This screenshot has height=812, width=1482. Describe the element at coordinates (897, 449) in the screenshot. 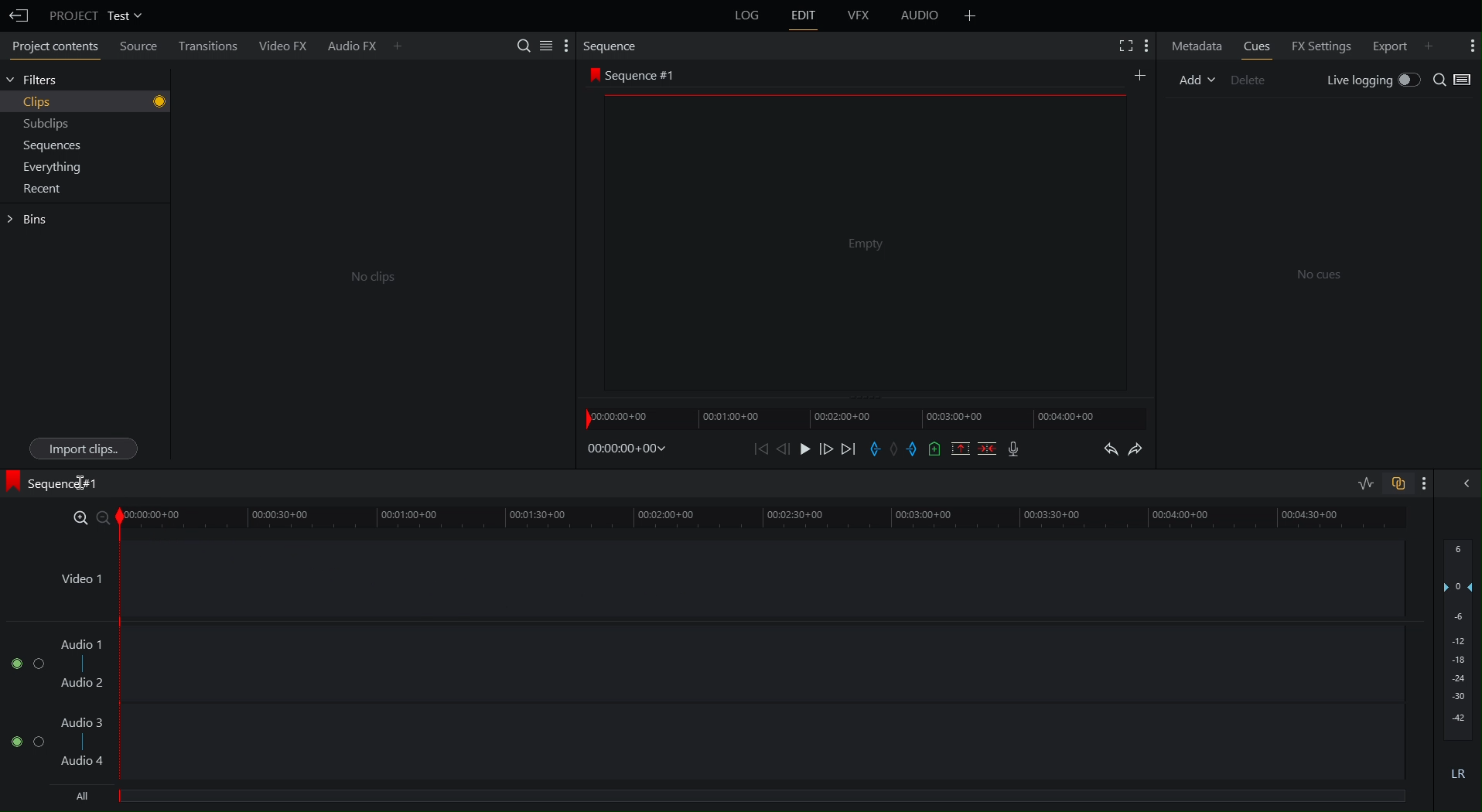

I see `Remove Marker` at that location.